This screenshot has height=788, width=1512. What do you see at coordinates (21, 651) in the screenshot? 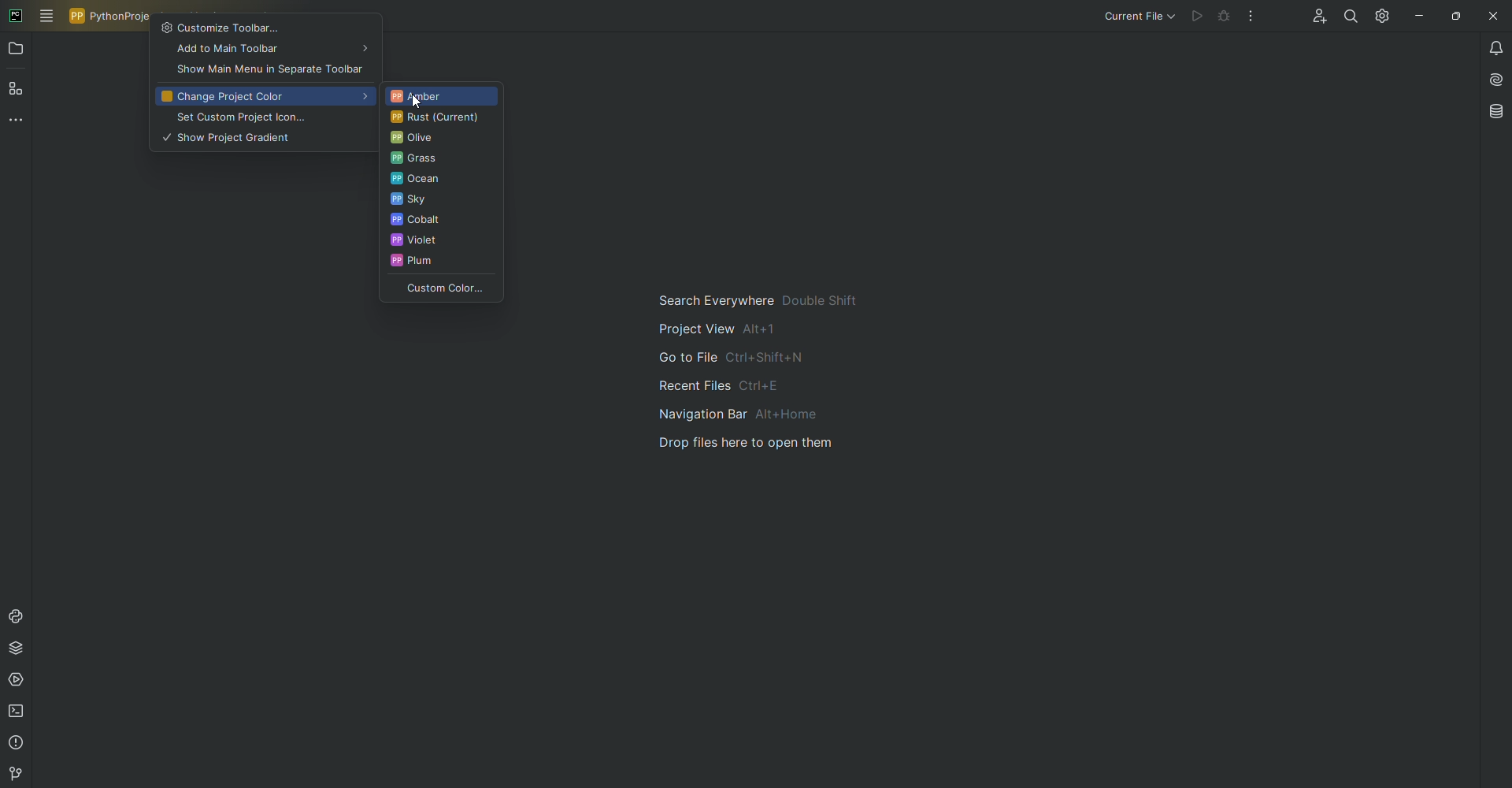
I see `Packages` at bounding box center [21, 651].